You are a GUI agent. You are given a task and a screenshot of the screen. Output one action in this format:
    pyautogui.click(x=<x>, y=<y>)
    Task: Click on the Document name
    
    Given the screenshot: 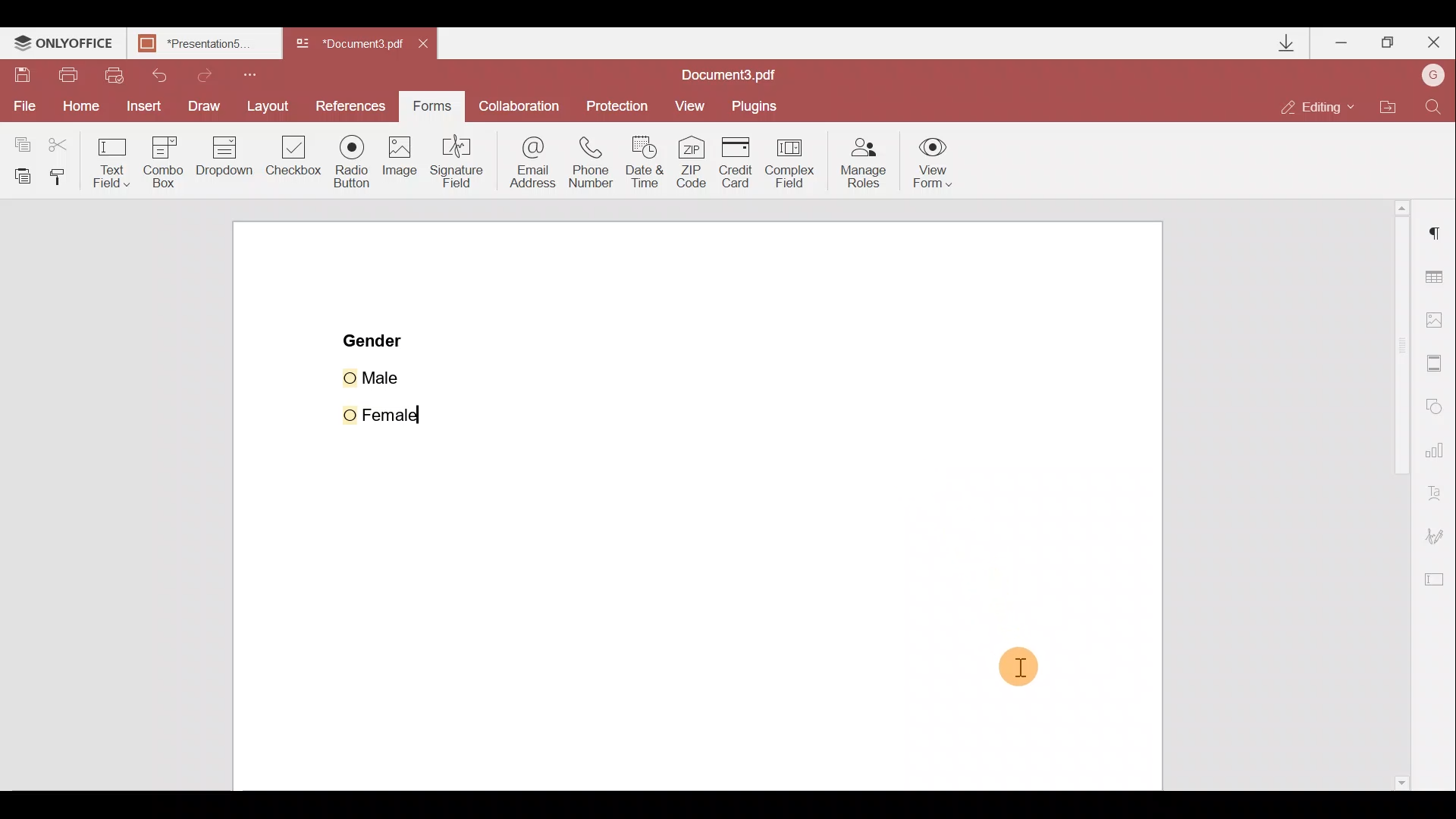 What is the action you would take?
    pyautogui.click(x=352, y=44)
    